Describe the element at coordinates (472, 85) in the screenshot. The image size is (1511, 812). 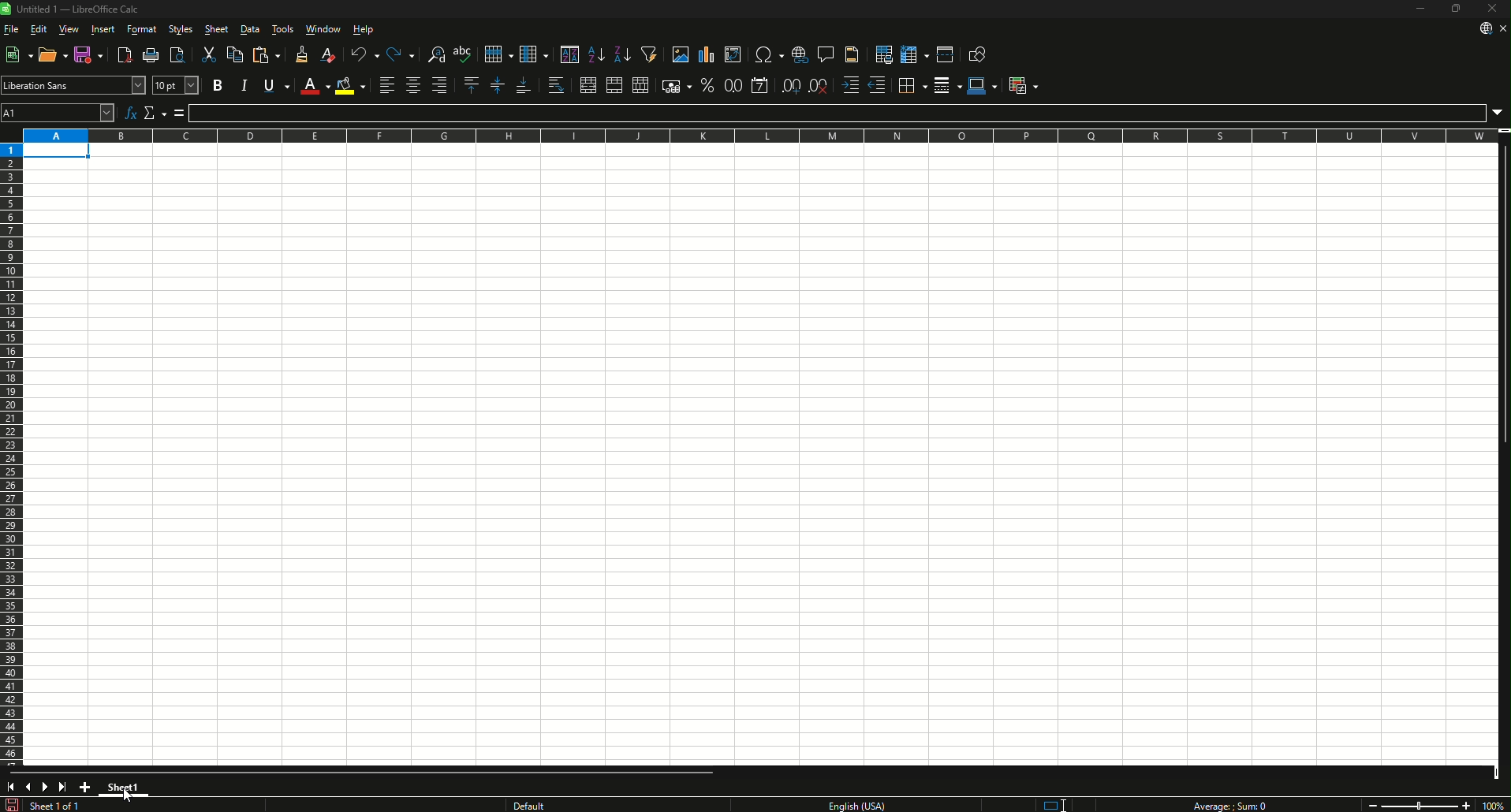
I see `Align Top` at that location.